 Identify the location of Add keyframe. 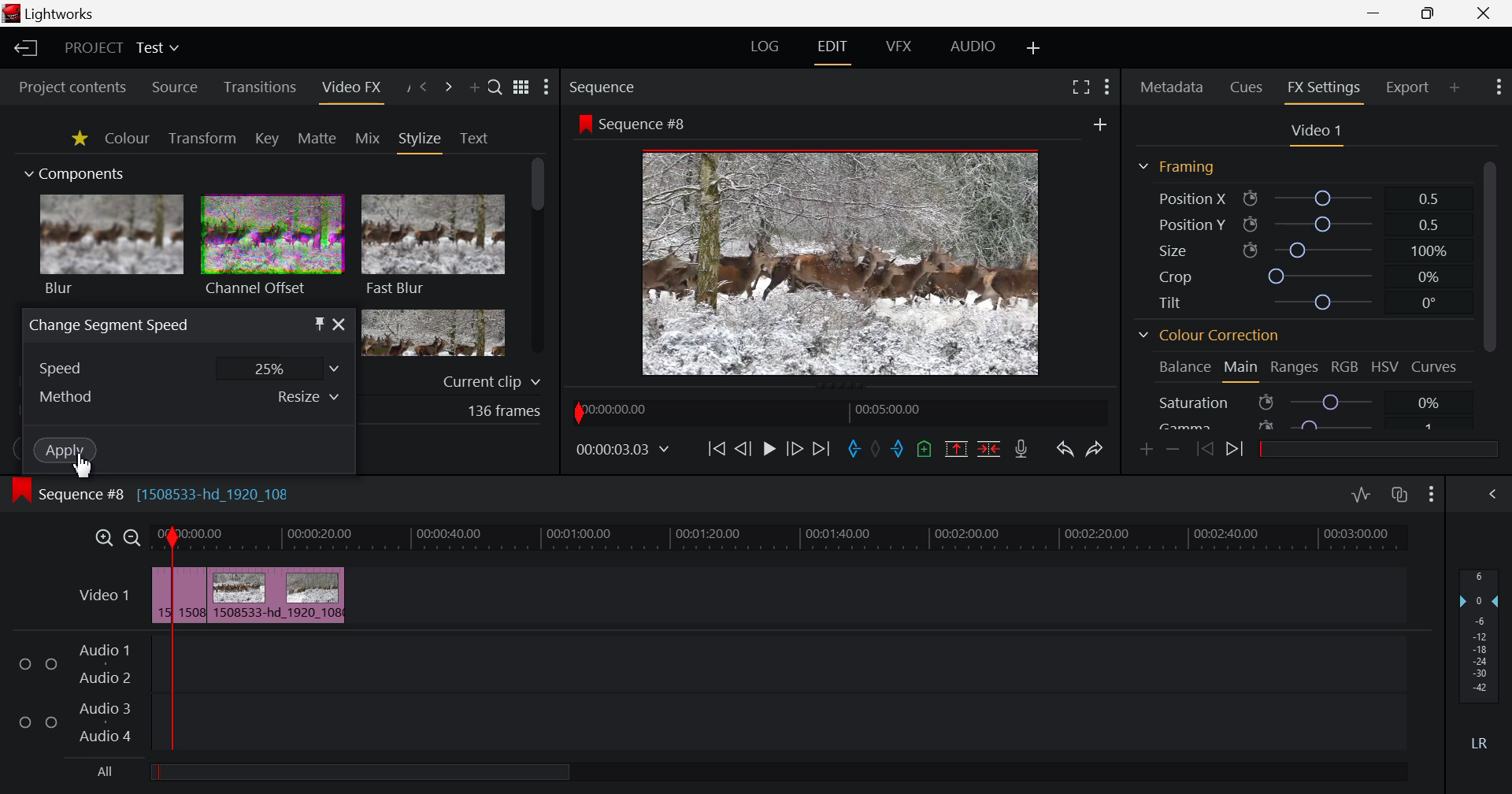
(1147, 451).